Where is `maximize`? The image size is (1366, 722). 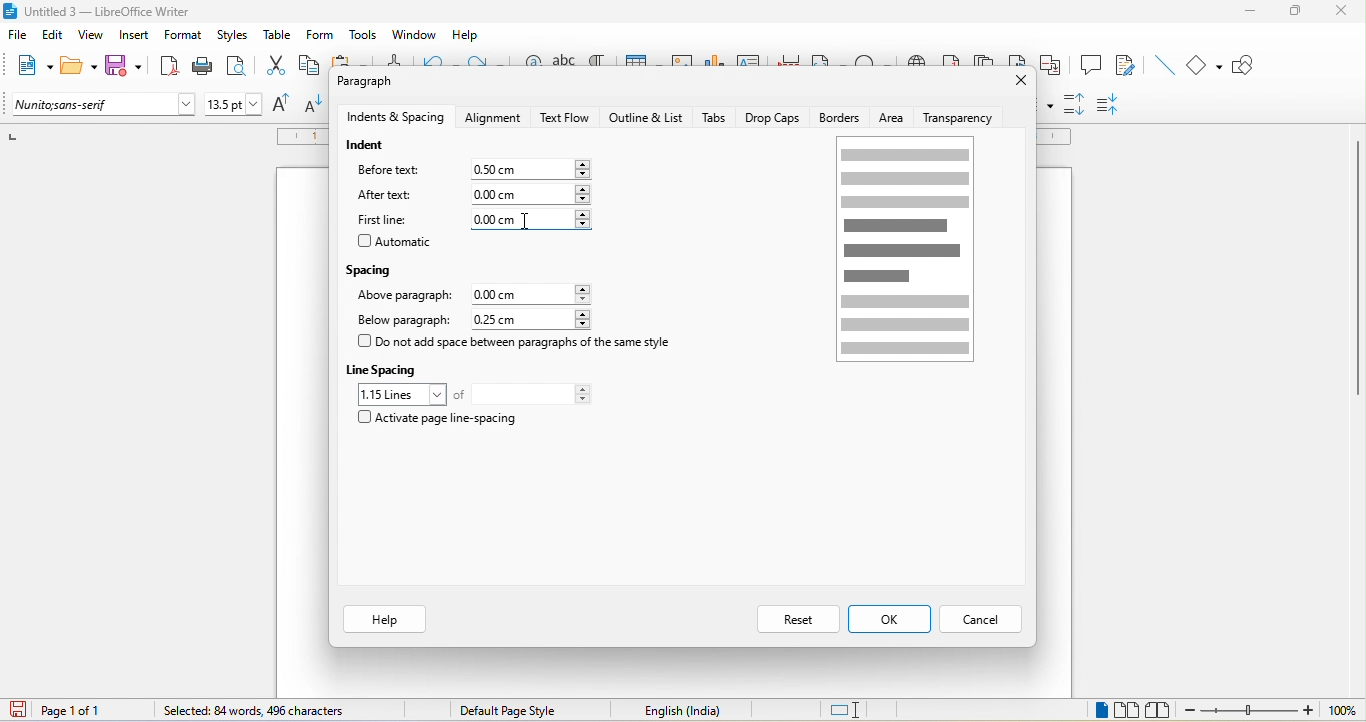
maximize is located at coordinates (1288, 12).